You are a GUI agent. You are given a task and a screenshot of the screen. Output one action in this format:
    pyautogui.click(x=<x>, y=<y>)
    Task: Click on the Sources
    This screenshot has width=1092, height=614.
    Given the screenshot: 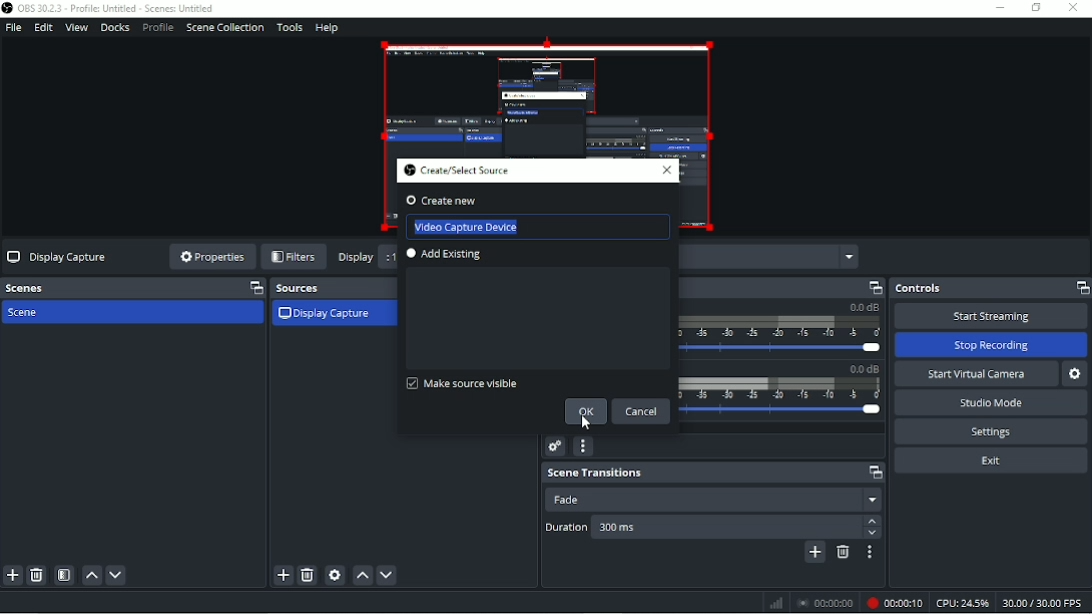 What is the action you would take?
    pyautogui.click(x=334, y=286)
    